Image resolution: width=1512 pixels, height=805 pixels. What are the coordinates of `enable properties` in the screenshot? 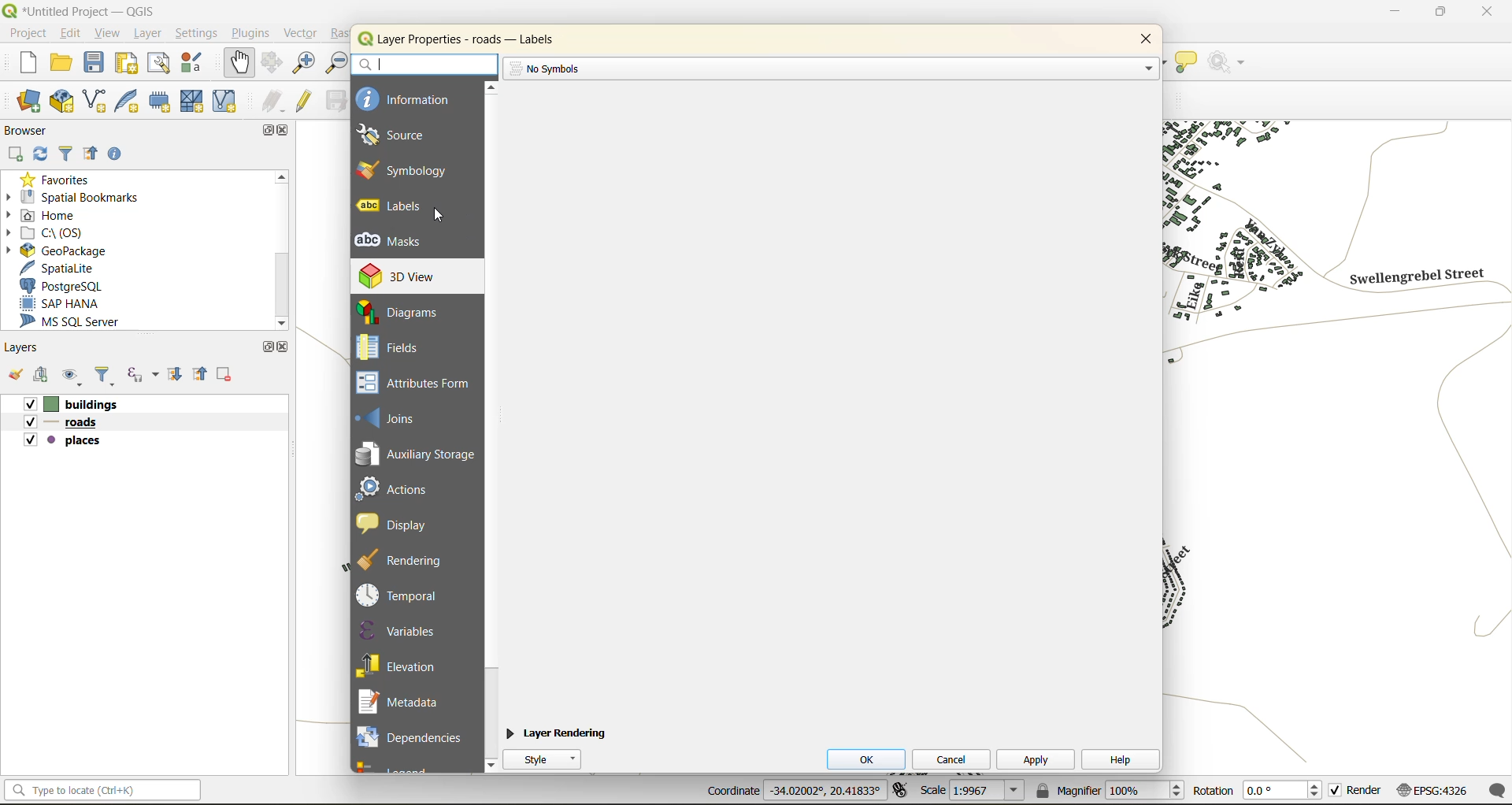 It's located at (117, 154).